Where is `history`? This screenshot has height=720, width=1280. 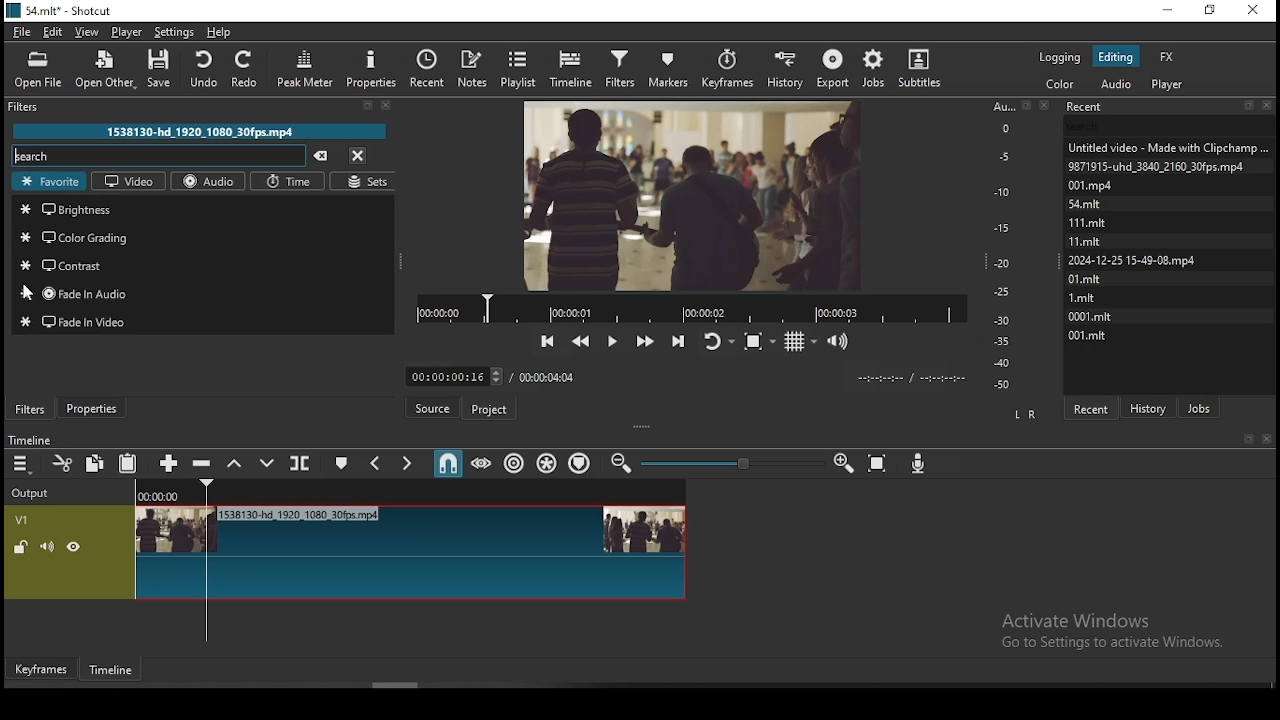
history is located at coordinates (784, 67).